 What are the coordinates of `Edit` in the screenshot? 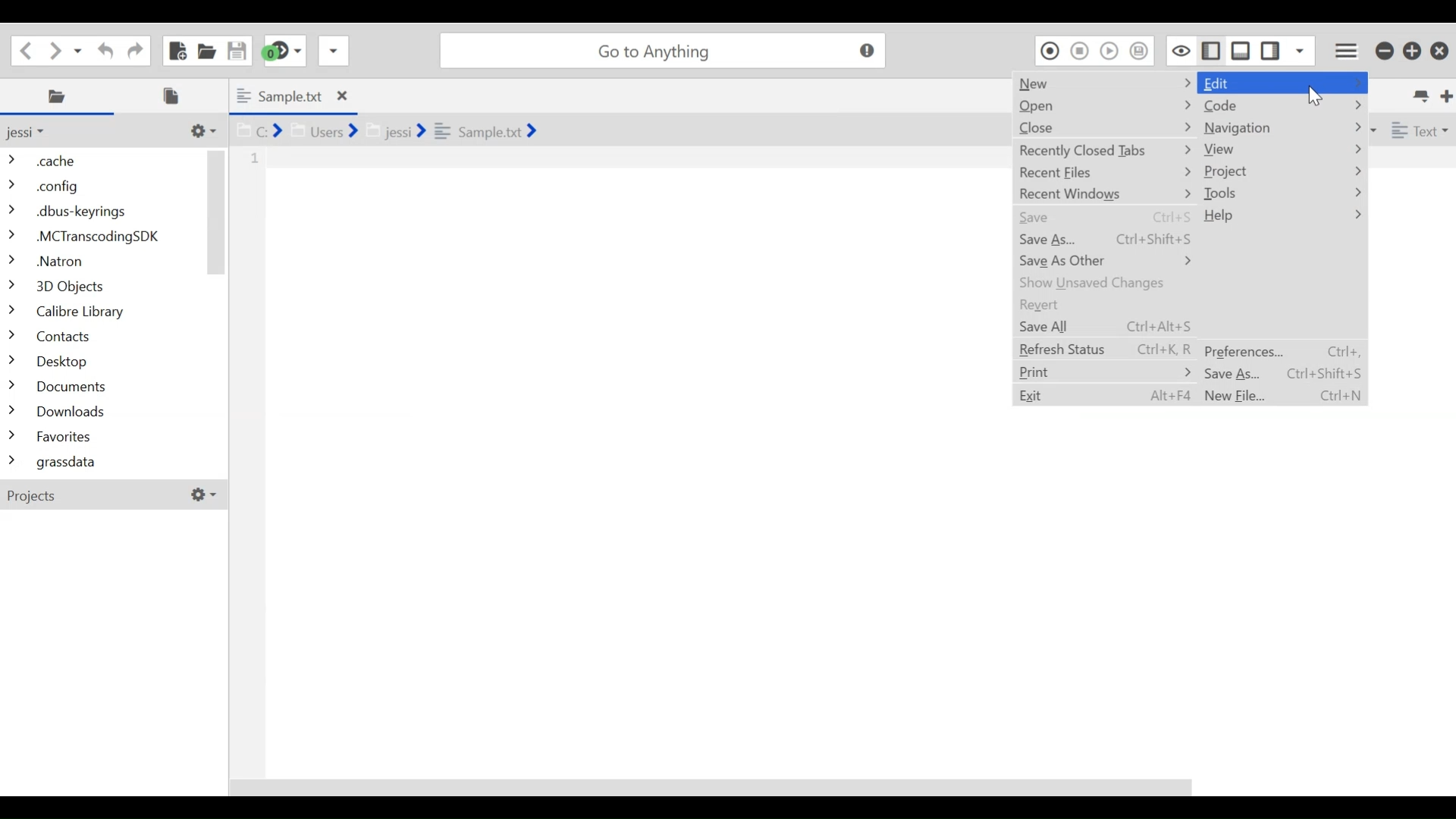 It's located at (1285, 83).